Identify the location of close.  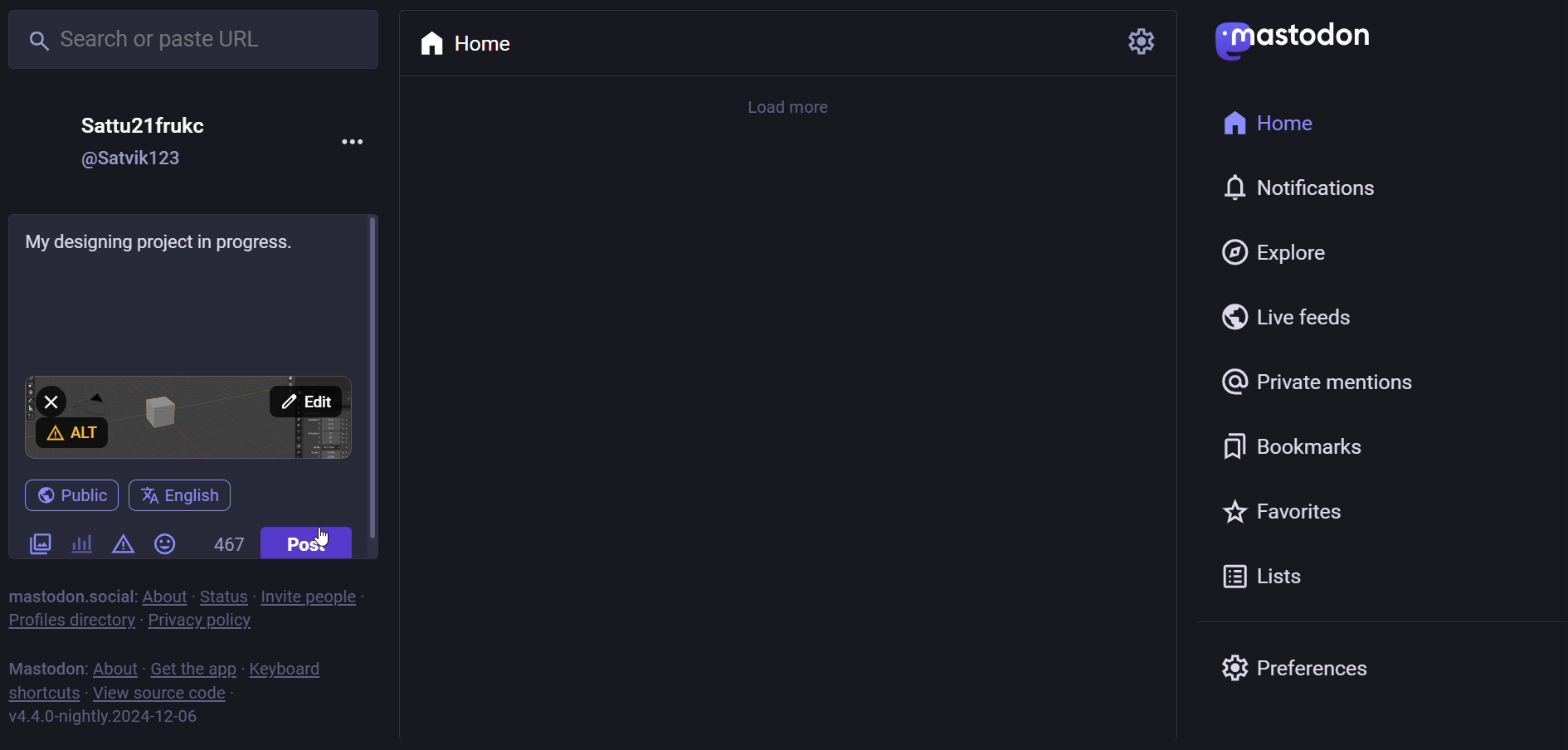
(49, 398).